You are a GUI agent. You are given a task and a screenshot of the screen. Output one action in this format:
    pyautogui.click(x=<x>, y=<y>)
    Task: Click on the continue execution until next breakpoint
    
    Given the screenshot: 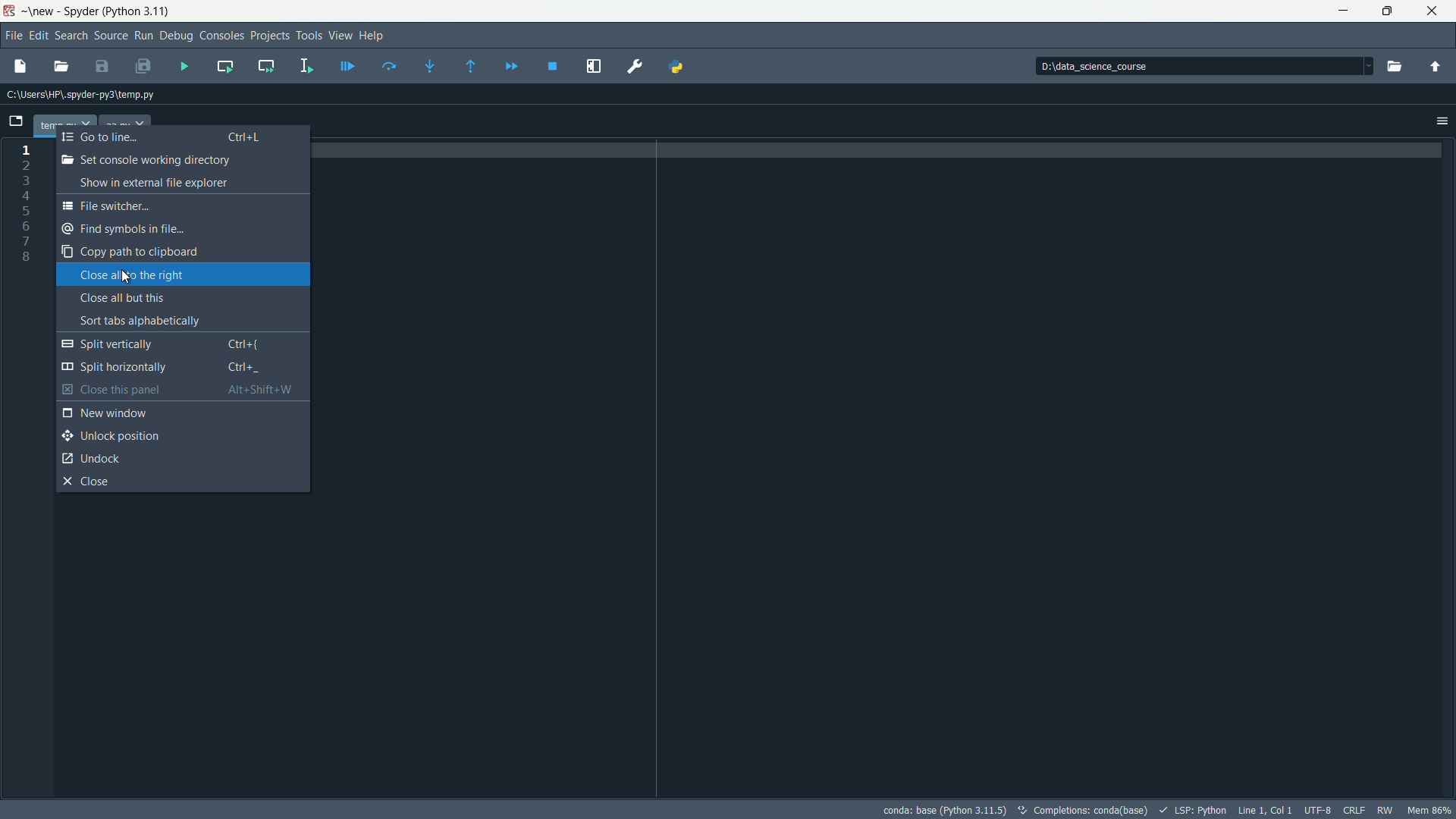 What is the action you would take?
    pyautogui.click(x=515, y=65)
    